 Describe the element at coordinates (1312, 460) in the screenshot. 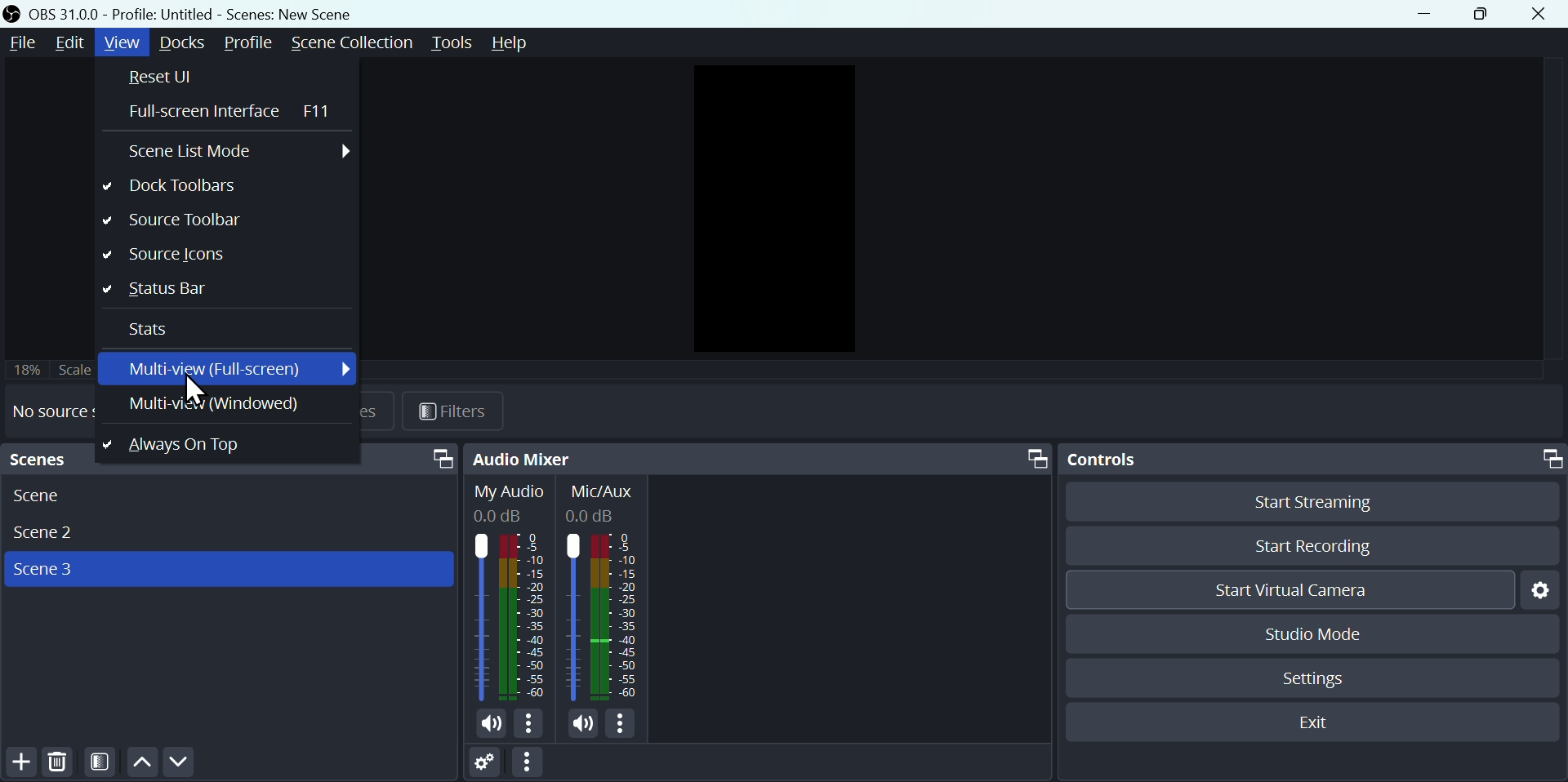

I see `Controls` at that location.